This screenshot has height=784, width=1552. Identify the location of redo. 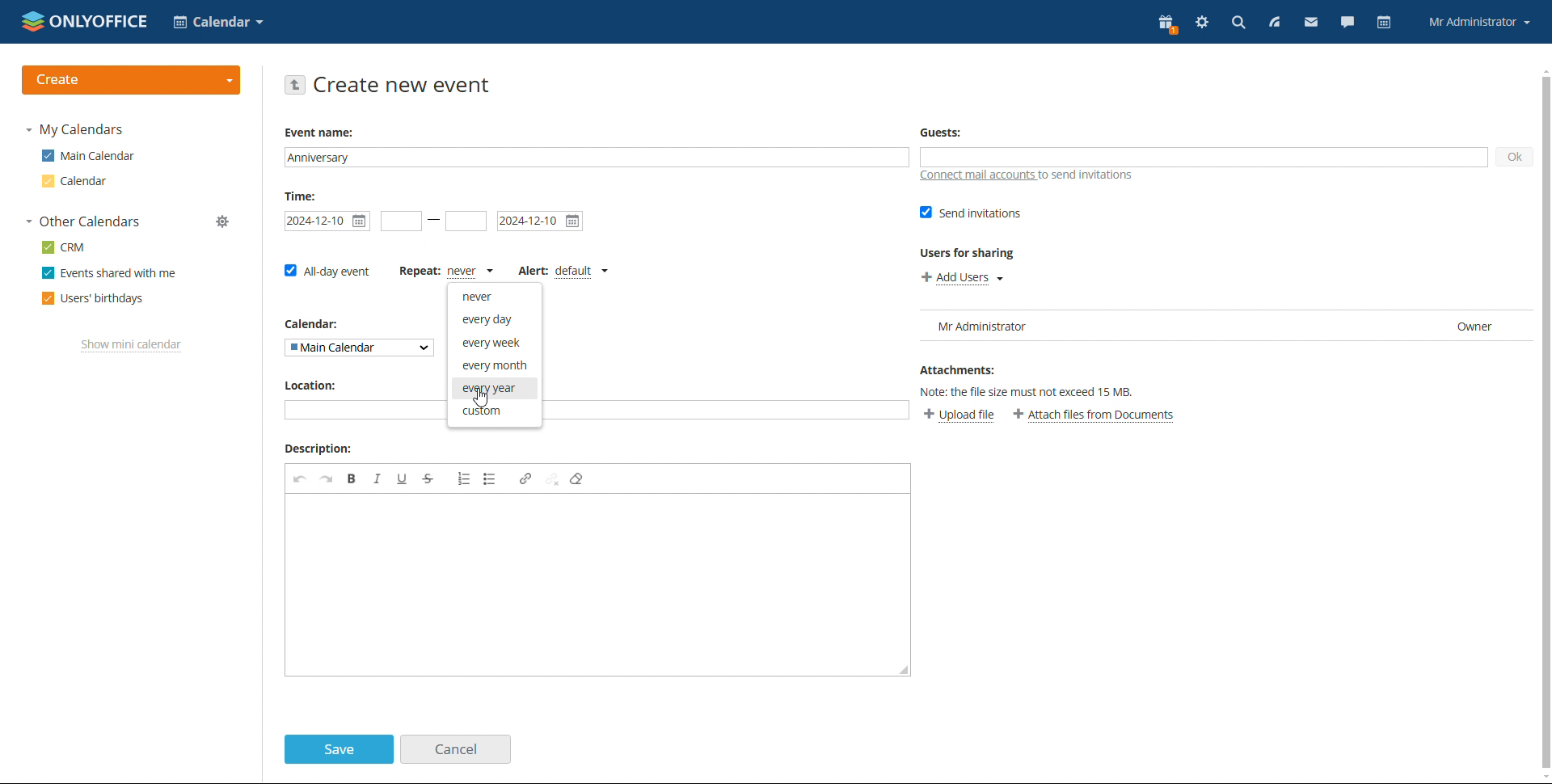
(327, 478).